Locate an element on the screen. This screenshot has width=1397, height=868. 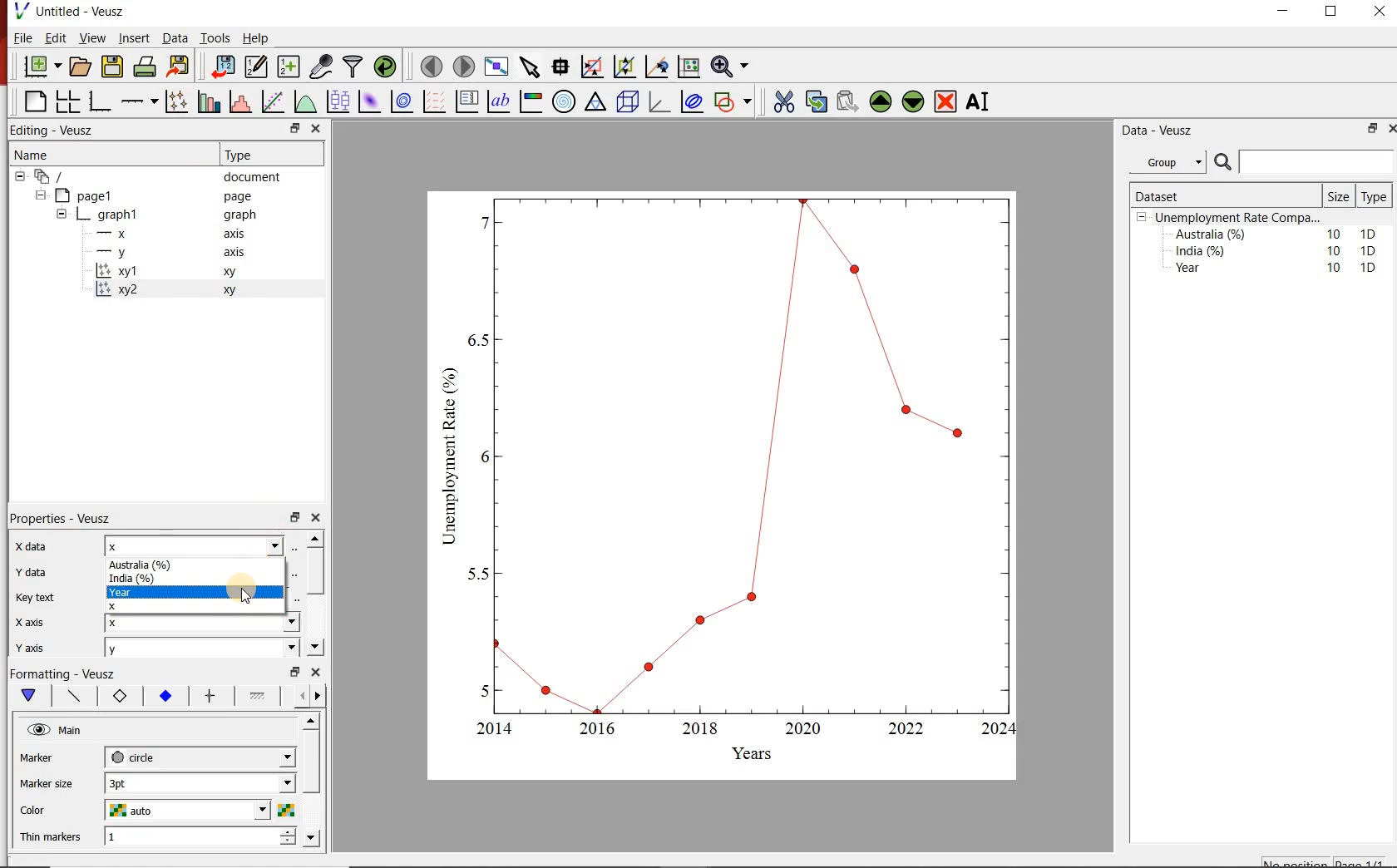
remove the widgets is located at coordinates (945, 101).